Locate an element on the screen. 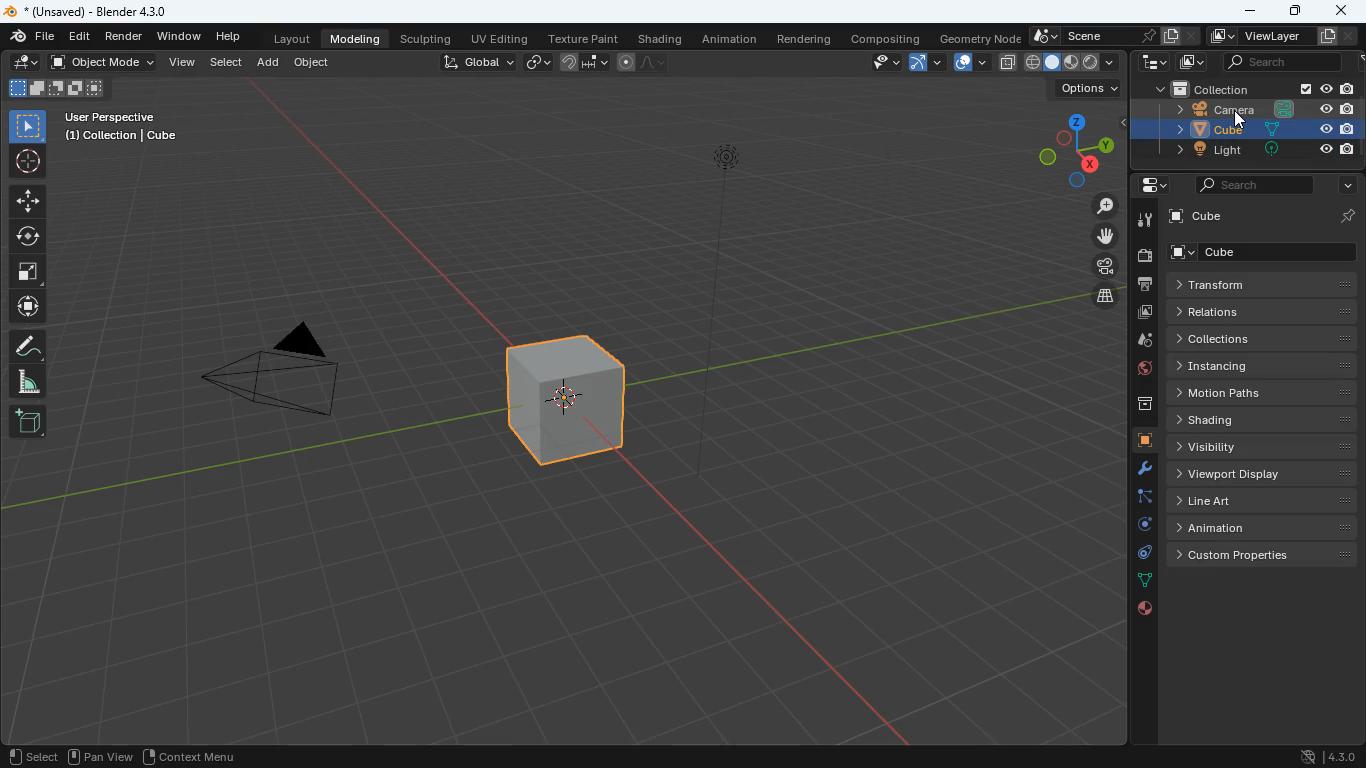 This screenshot has height=768, width=1366. drop is located at coordinates (1140, 342).